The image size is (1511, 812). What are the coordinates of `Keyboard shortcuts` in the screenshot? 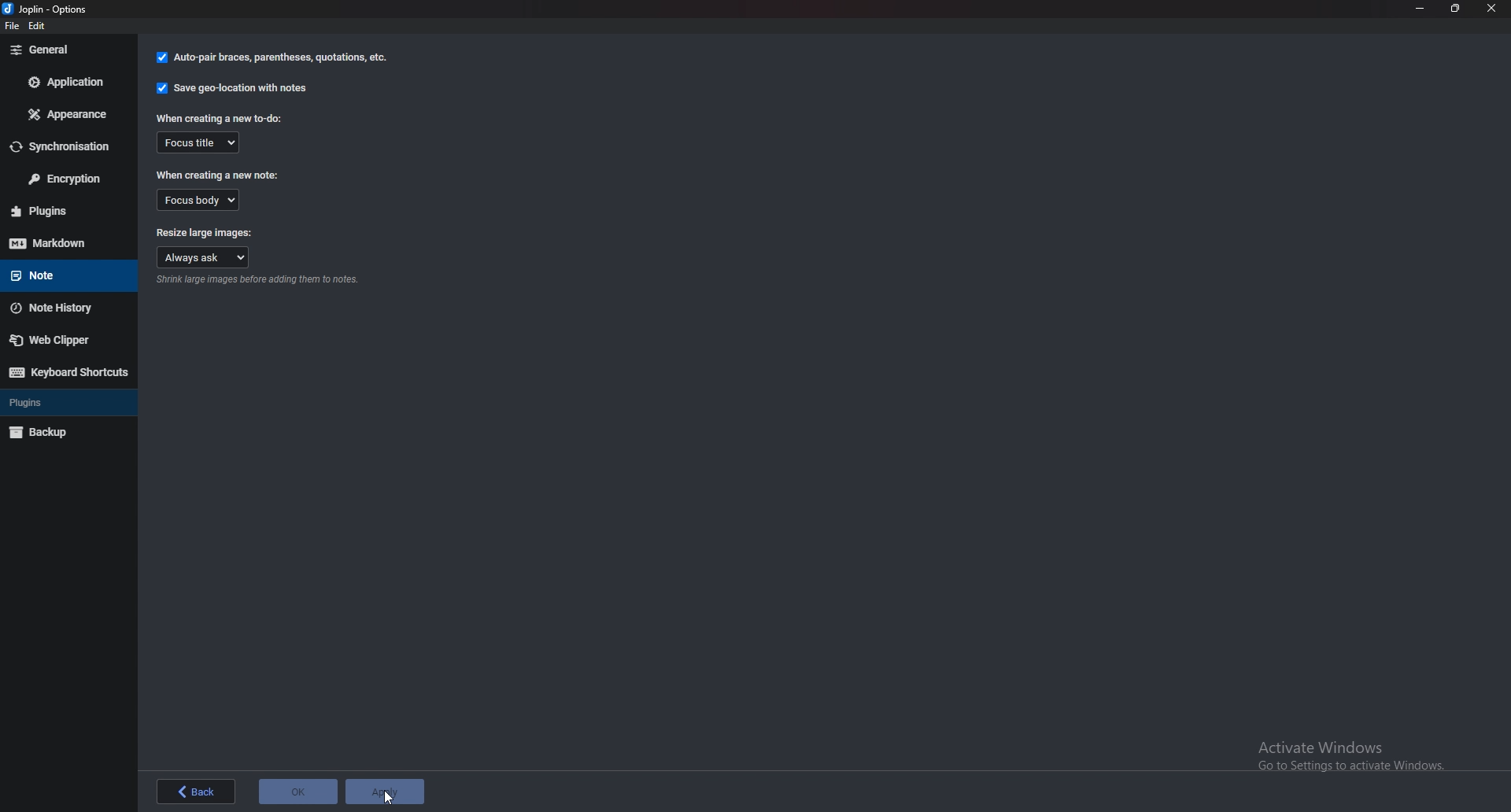 It's located at (68, 372).